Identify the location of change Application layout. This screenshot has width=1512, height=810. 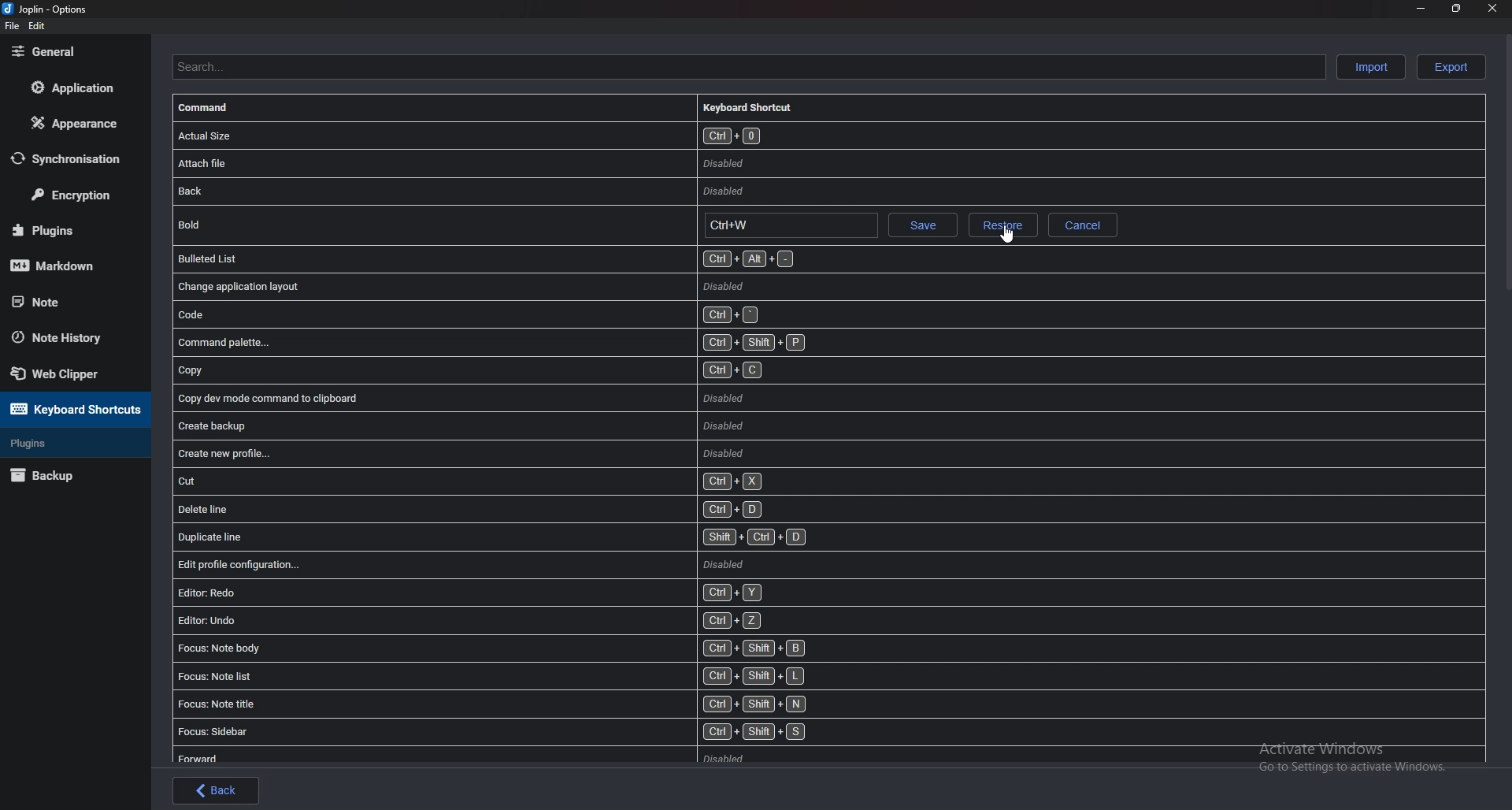
(472, 285).